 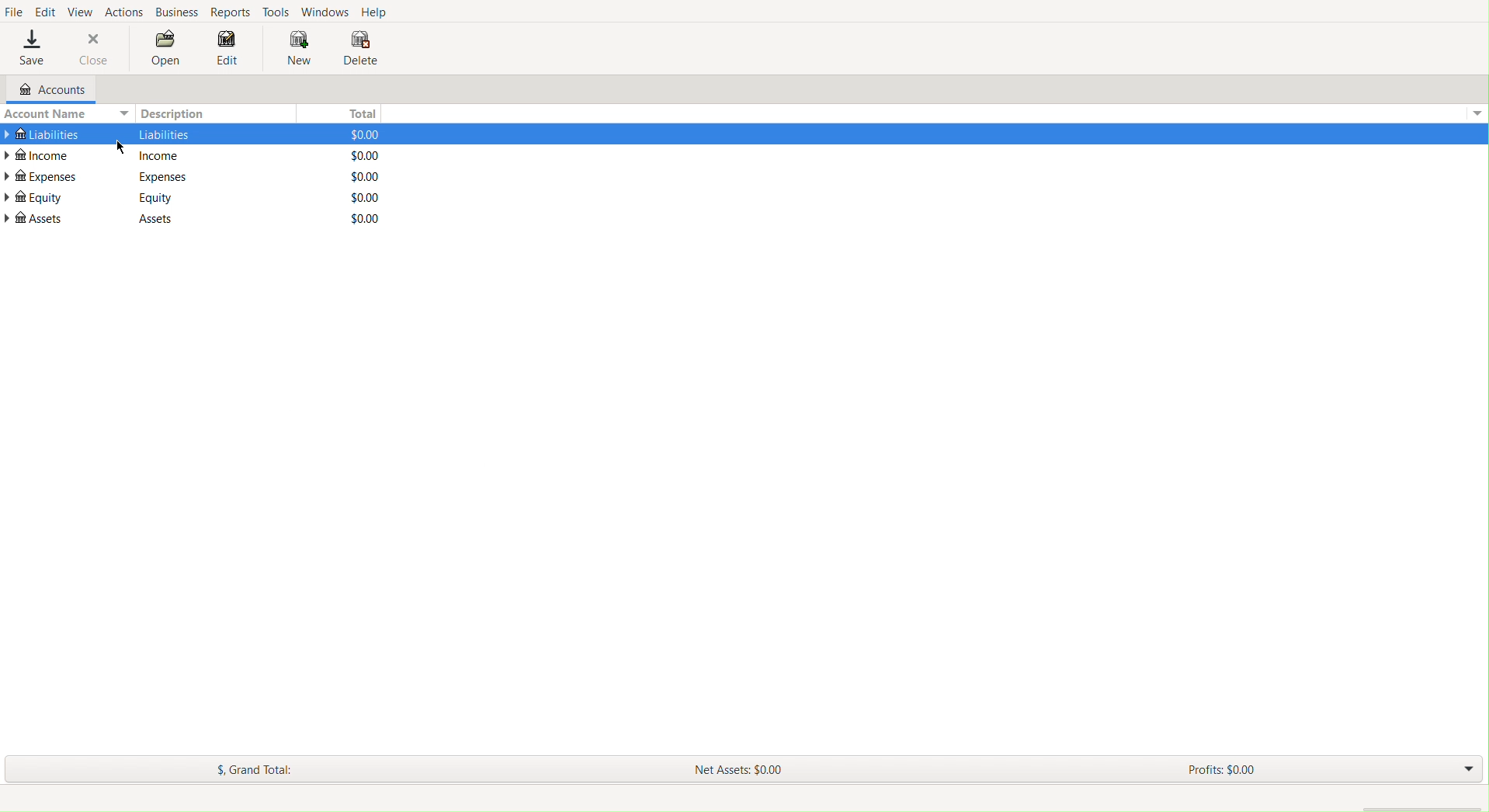 What do you see at coordinates (33, 197) in the screenshot?
I see `Equity` at bounding box center [33, 197].